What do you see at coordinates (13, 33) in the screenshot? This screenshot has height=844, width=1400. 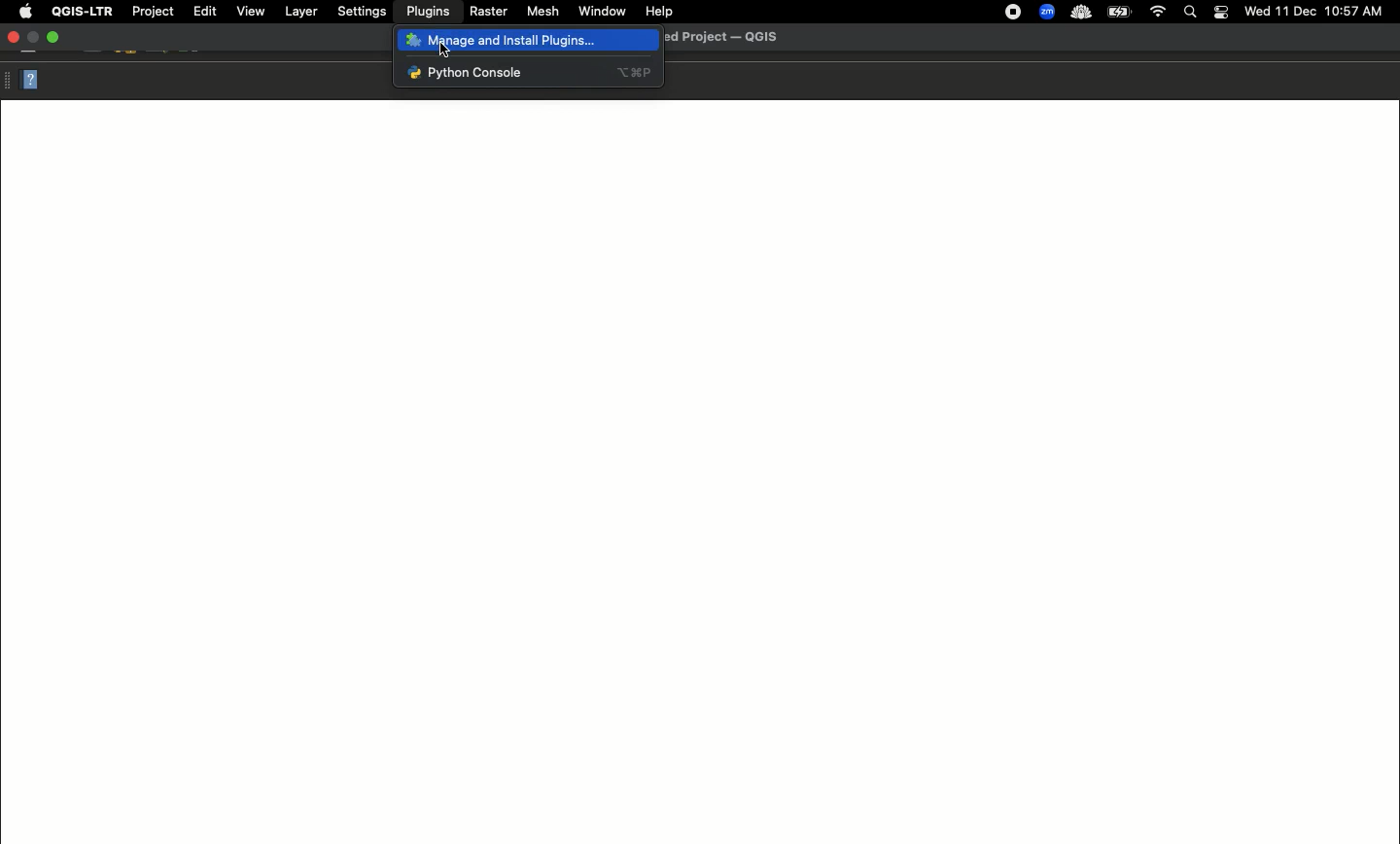 I see `Close` at bounding box center [13, 33].